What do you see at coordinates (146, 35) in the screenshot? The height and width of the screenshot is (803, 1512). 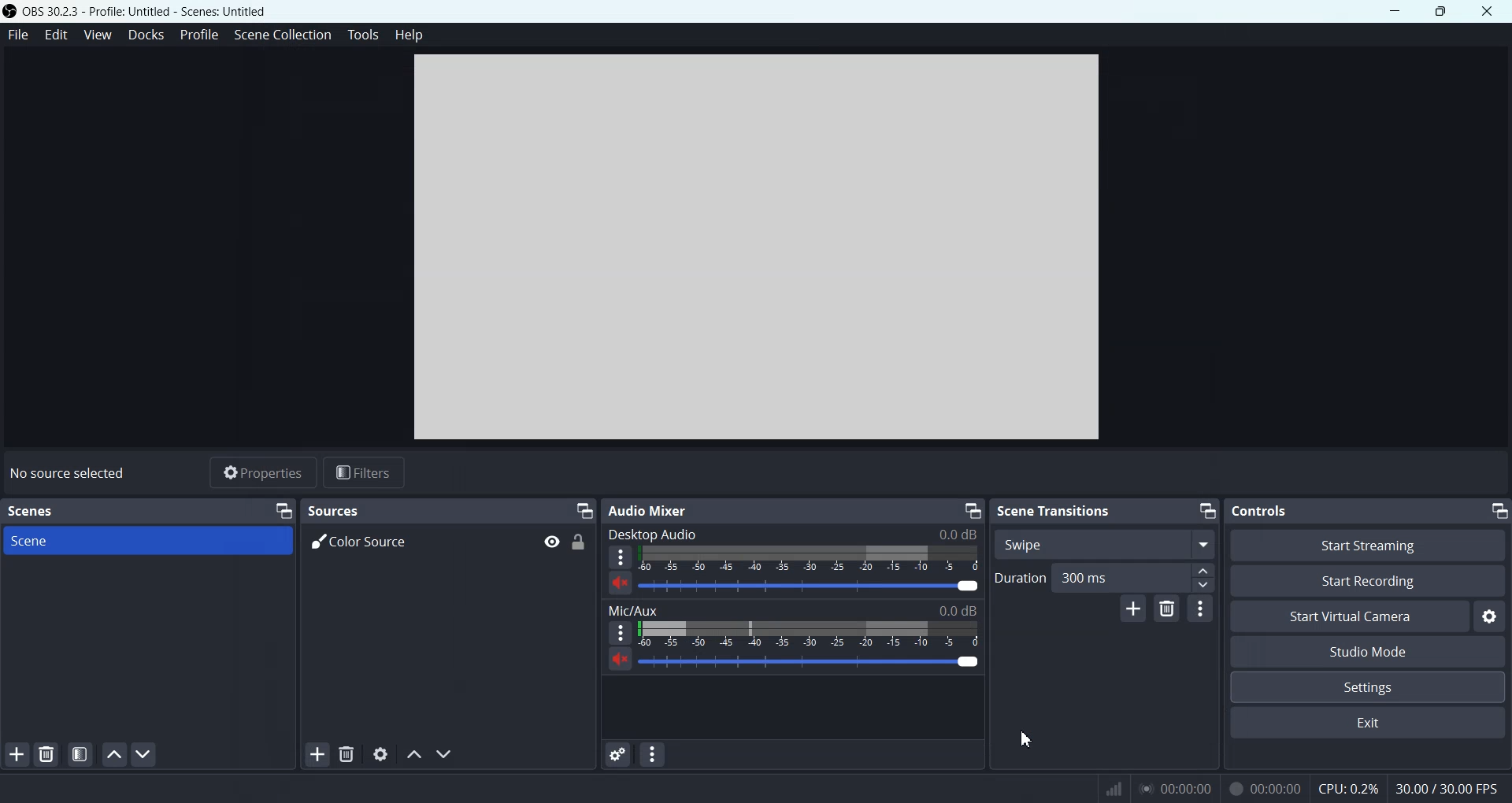 I see `Docks` at bounding box center [146, 35].